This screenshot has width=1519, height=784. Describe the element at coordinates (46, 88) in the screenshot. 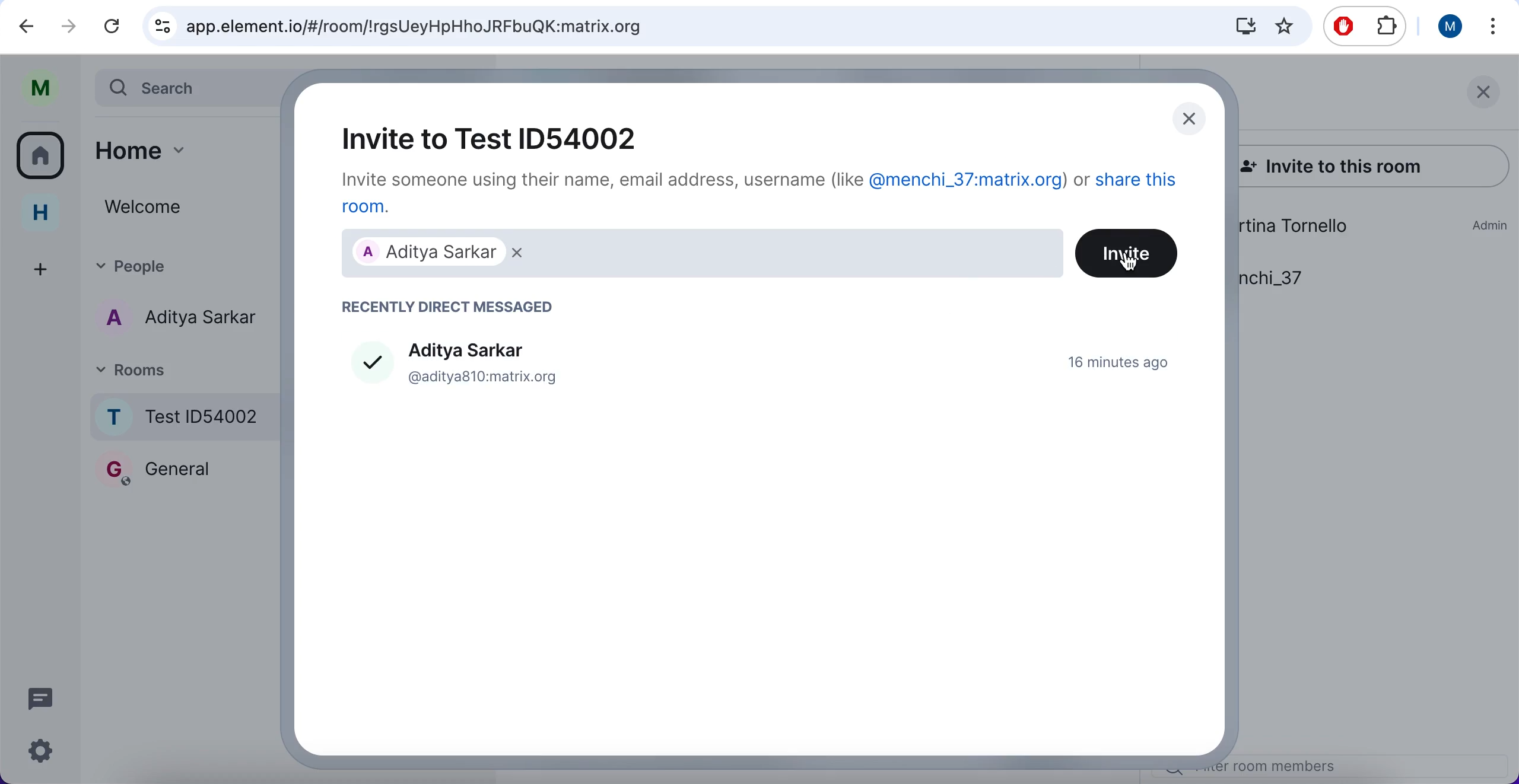

I see `user` at that location.